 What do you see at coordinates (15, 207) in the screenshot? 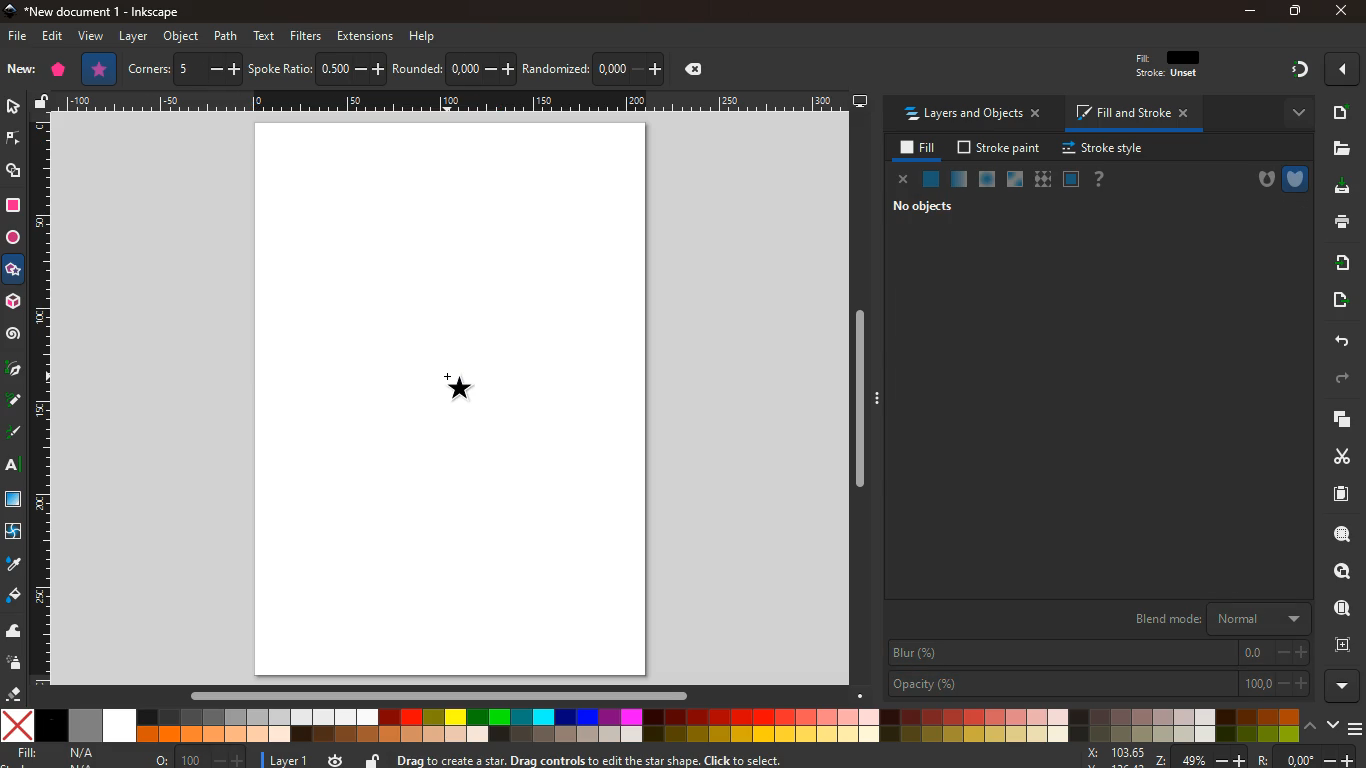
I see `square` at bounding box center [15, 207].